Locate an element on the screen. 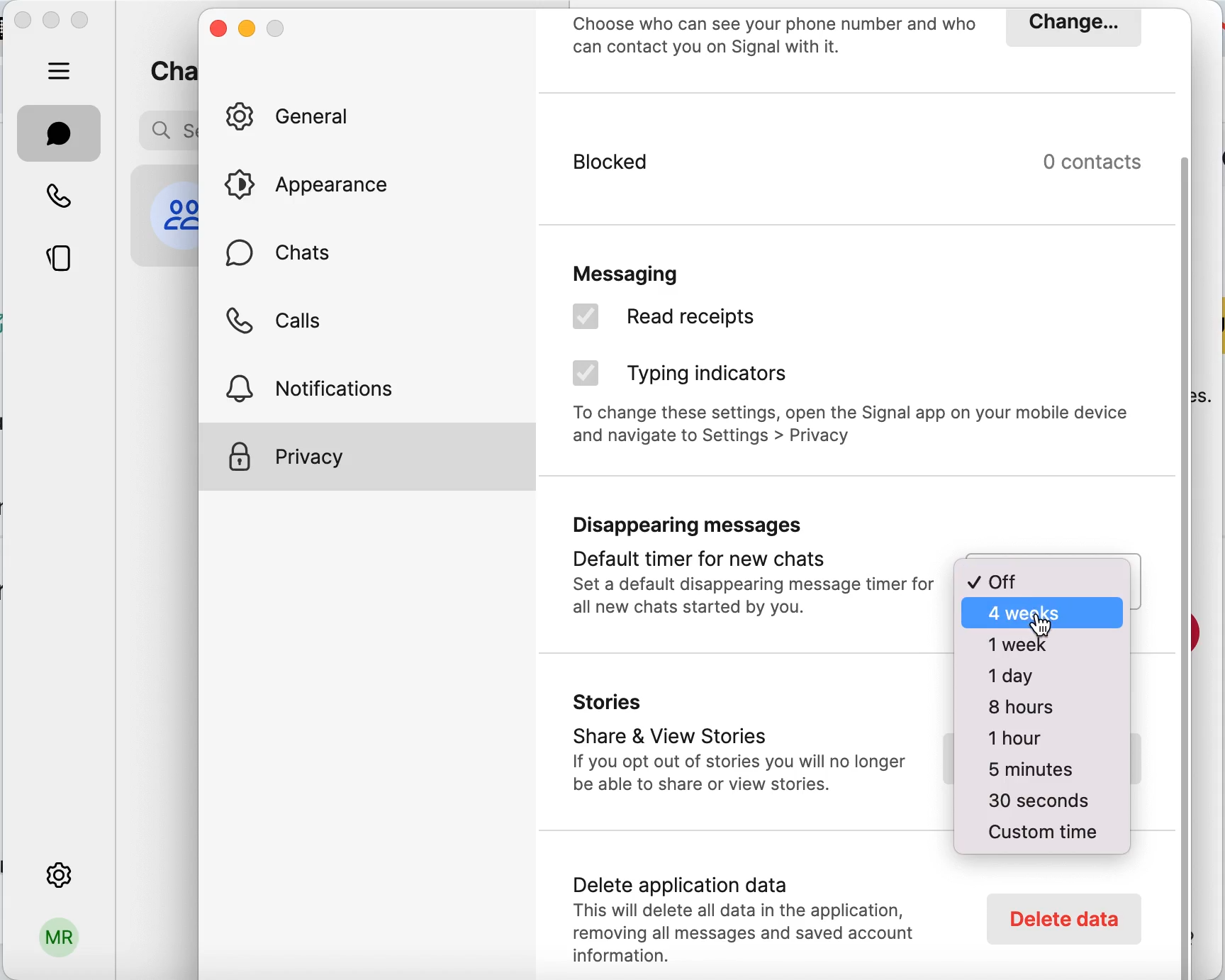 The height and width of the screenshot is (980, 1225). 8 hours is located at coordinates (1021, 708).